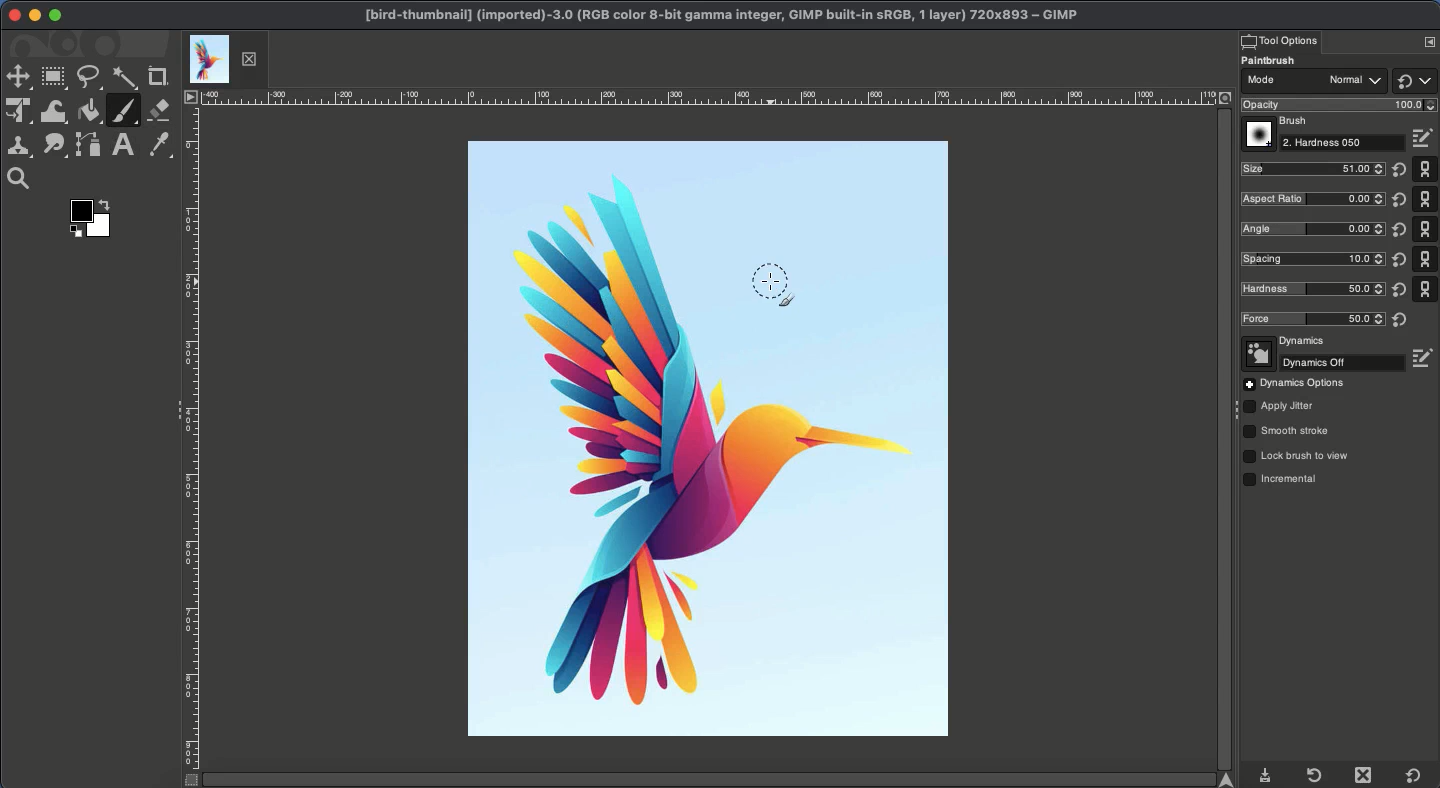 The height and width of the screenshot is (788, 1440). What do you see at coordinates (1311, 228) in the screenshot?
I see `Angle` at bounding box center [1311, 228].